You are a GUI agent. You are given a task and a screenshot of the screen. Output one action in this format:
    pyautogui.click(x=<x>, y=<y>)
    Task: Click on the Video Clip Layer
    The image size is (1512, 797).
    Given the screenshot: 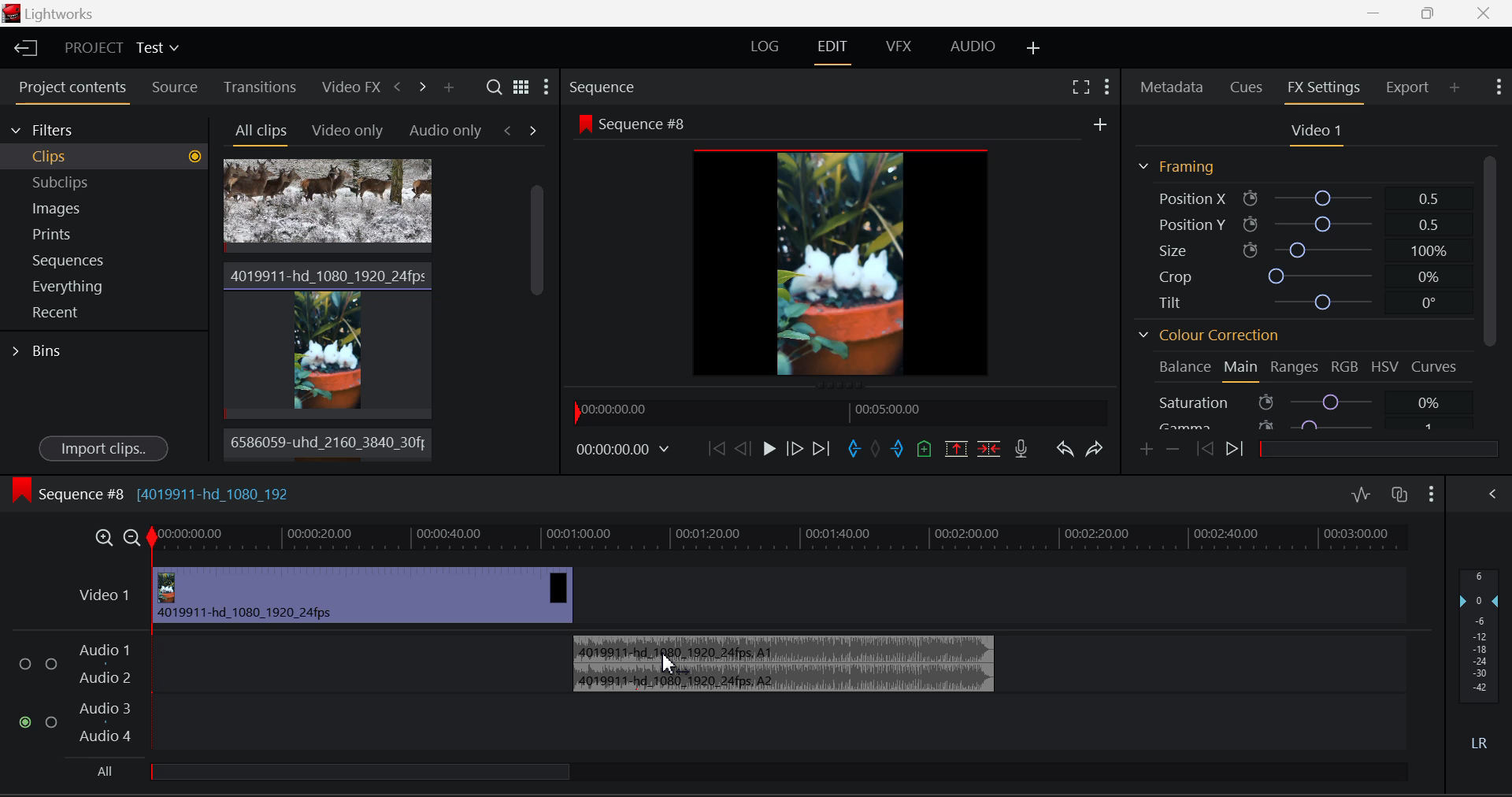 What is the action you would take?
    pyautogui.click(x=364, y=595)
    